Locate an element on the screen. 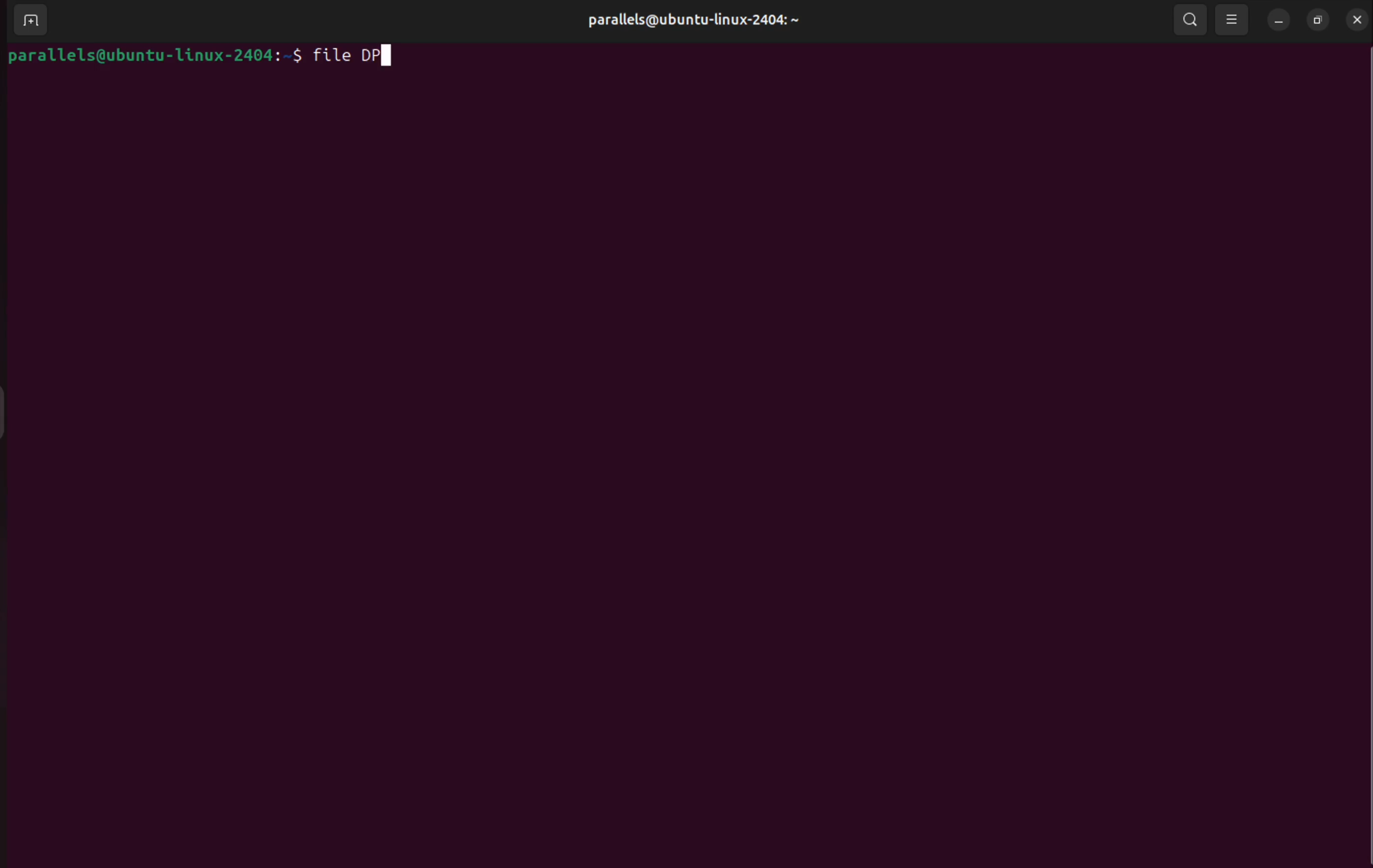  file filename is located at coordinates (356, 58).